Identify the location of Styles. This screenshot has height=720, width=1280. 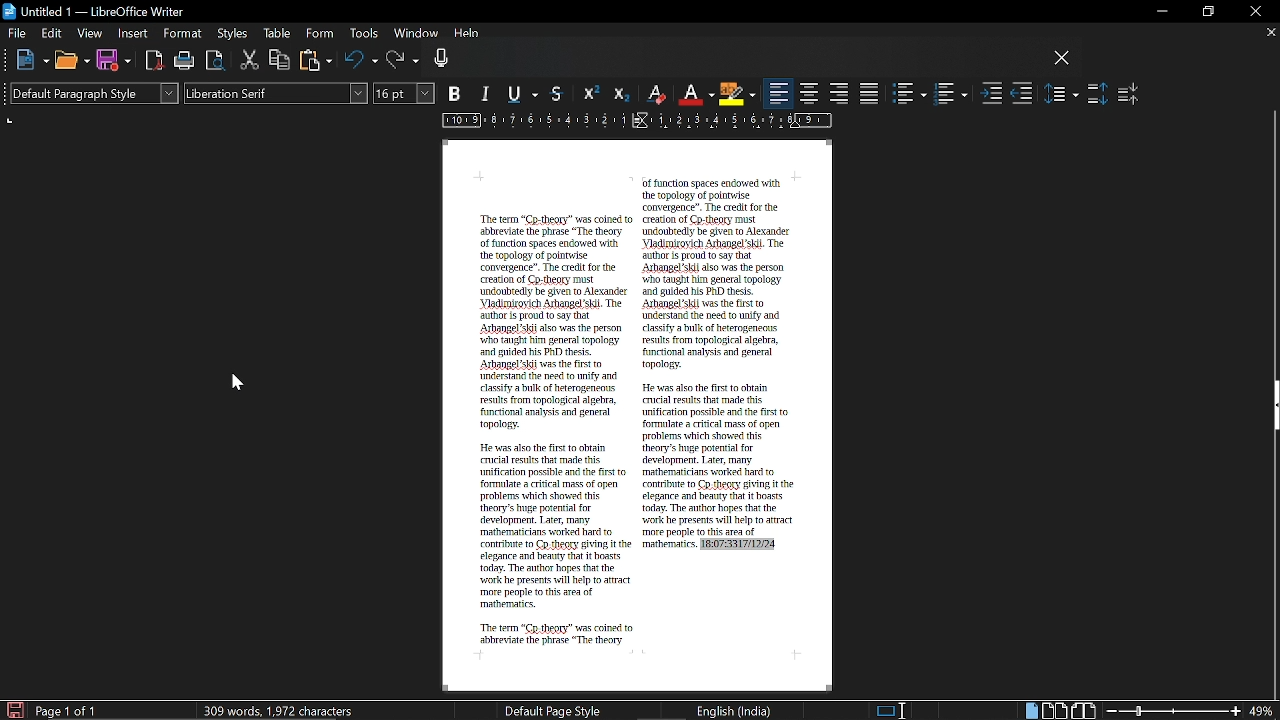
(234, 35).